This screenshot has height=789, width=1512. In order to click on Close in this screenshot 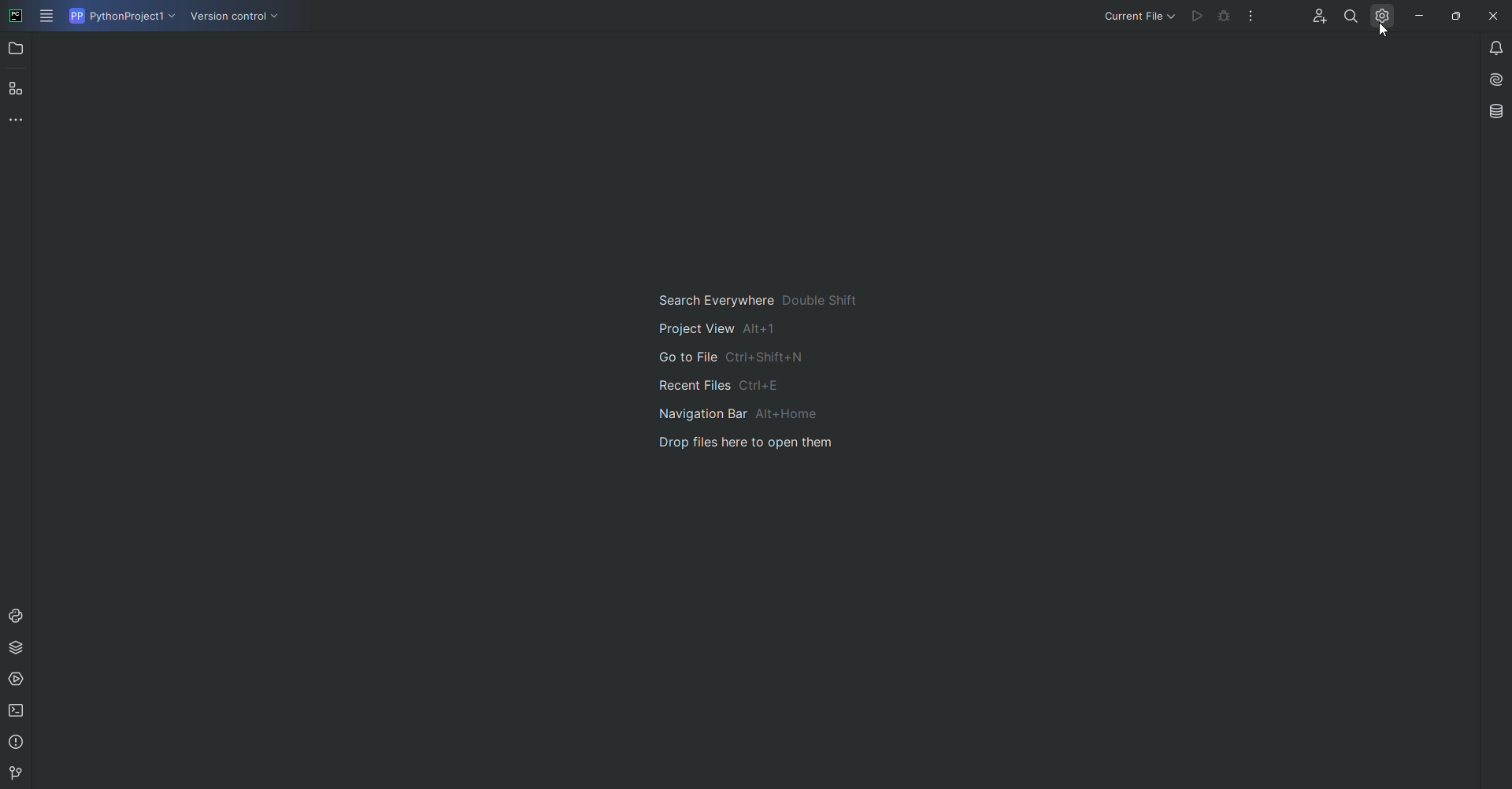, I will do `click(1491, 17)`.